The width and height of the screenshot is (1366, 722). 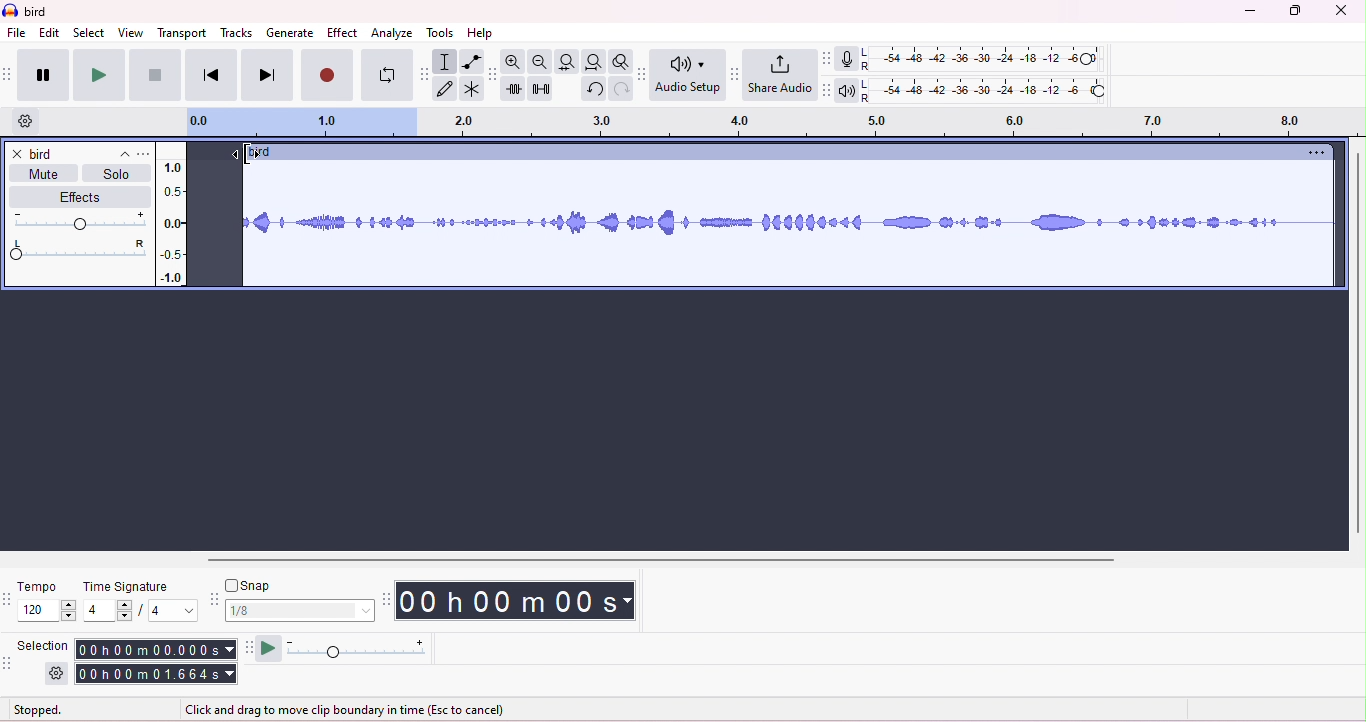 What do you see at coordinates (352, 710) in the screenshot?
I see `click and drag to move clip boundary in time (Esc to cancel)` at bounding box center [352, 710].